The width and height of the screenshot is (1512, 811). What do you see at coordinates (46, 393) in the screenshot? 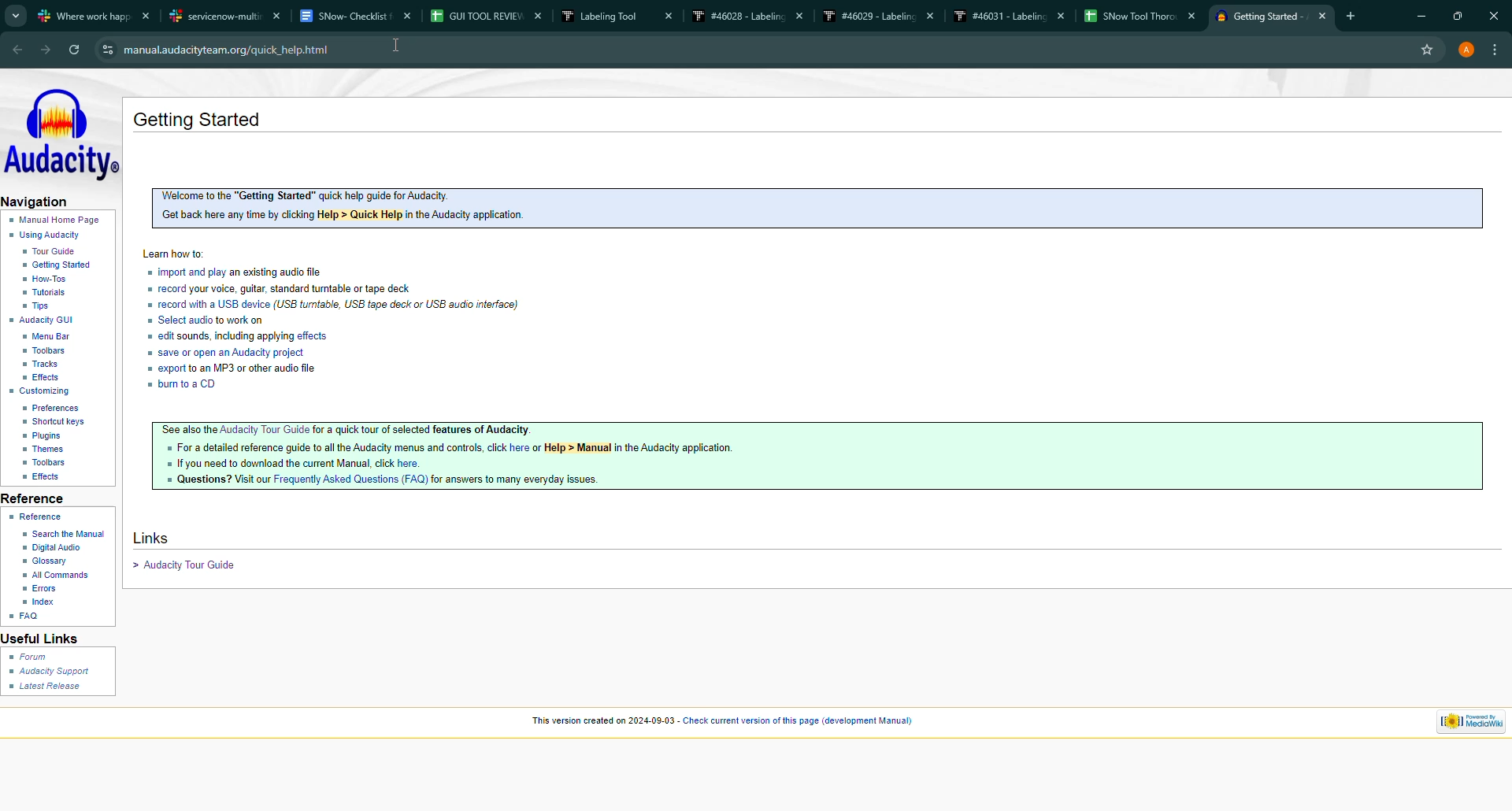
I see `custom` at bounding box center [46, 393].